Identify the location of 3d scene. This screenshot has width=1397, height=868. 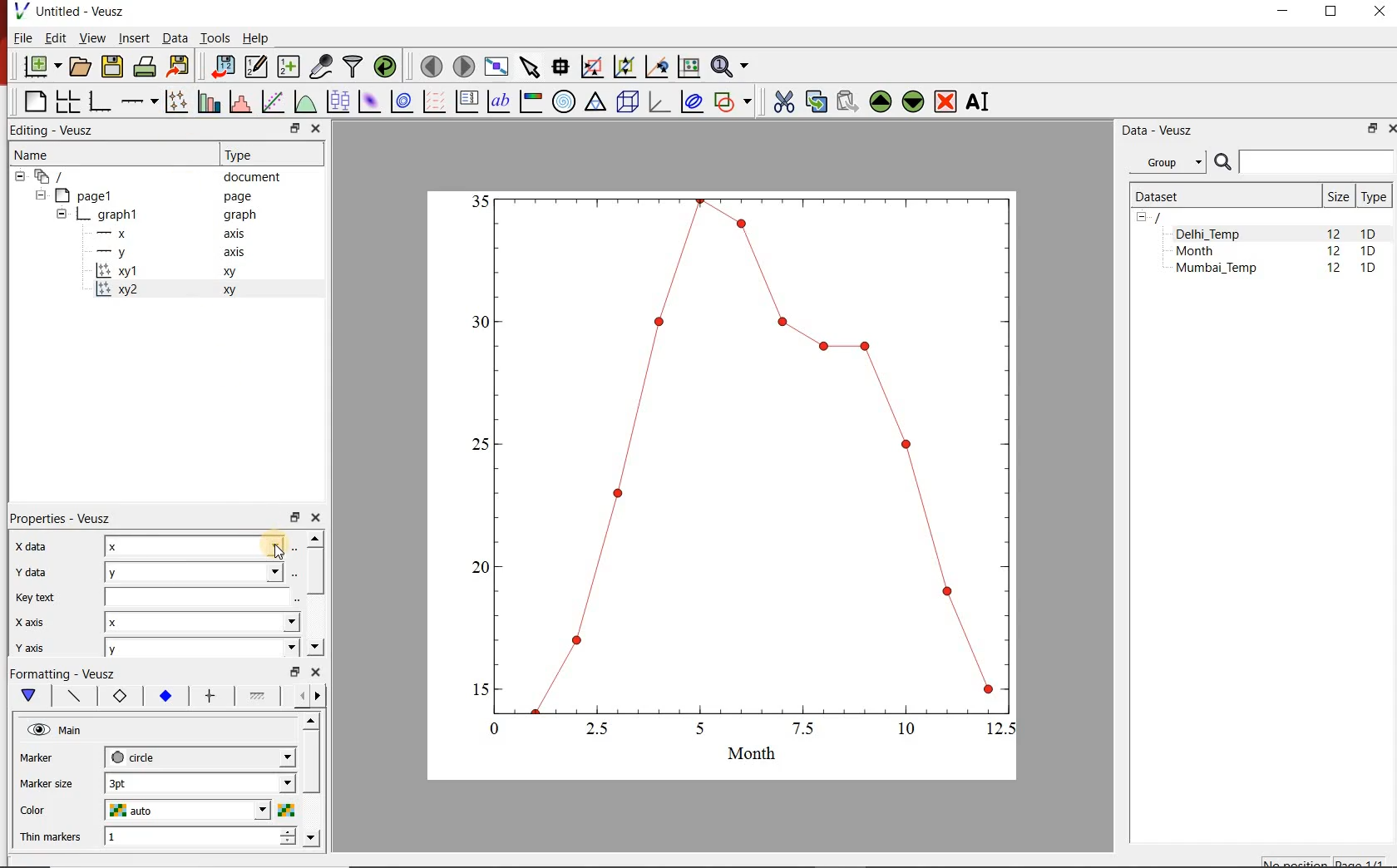
(626, 102).